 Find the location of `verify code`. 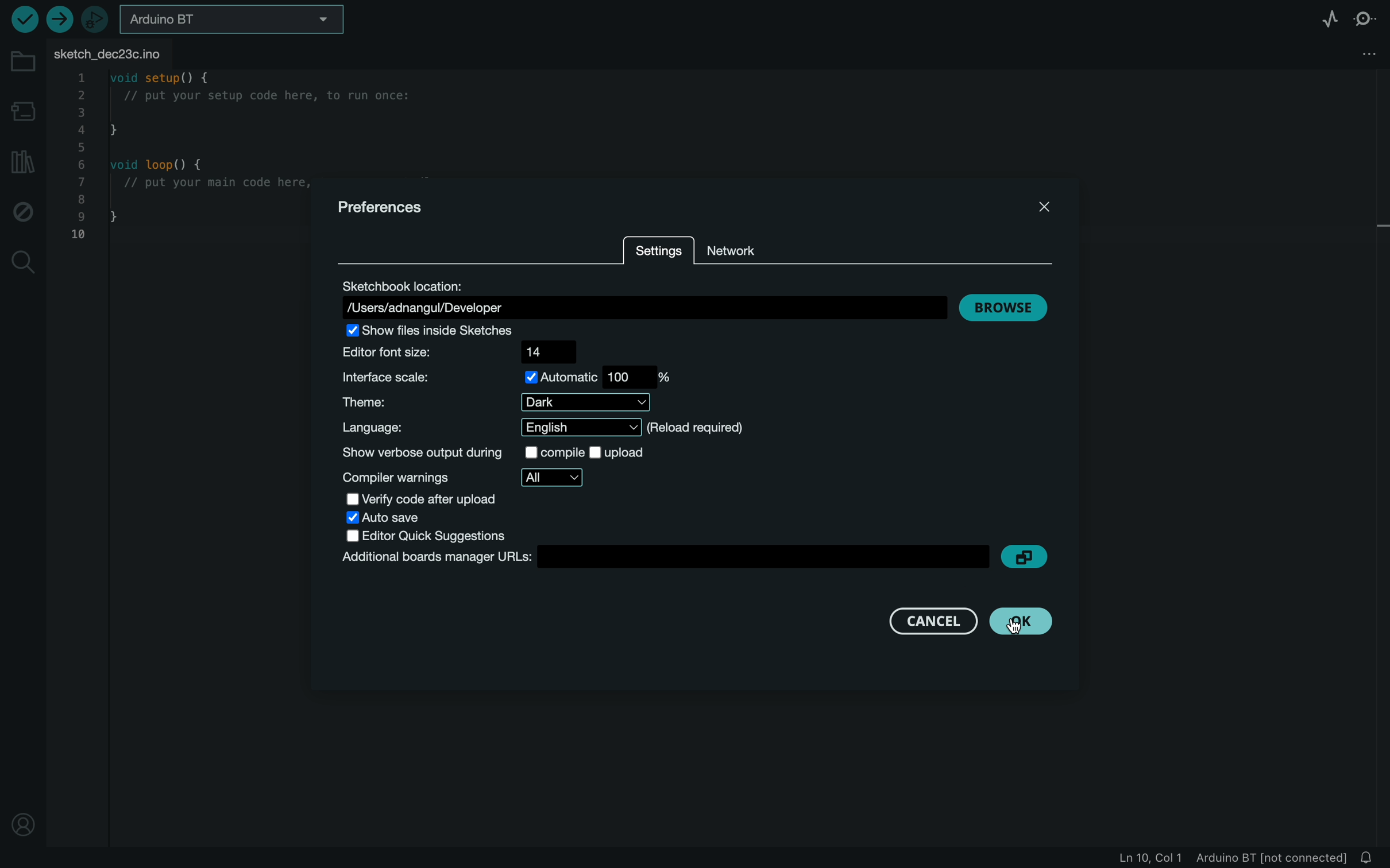

verify code is located at coordinates (443, 499).